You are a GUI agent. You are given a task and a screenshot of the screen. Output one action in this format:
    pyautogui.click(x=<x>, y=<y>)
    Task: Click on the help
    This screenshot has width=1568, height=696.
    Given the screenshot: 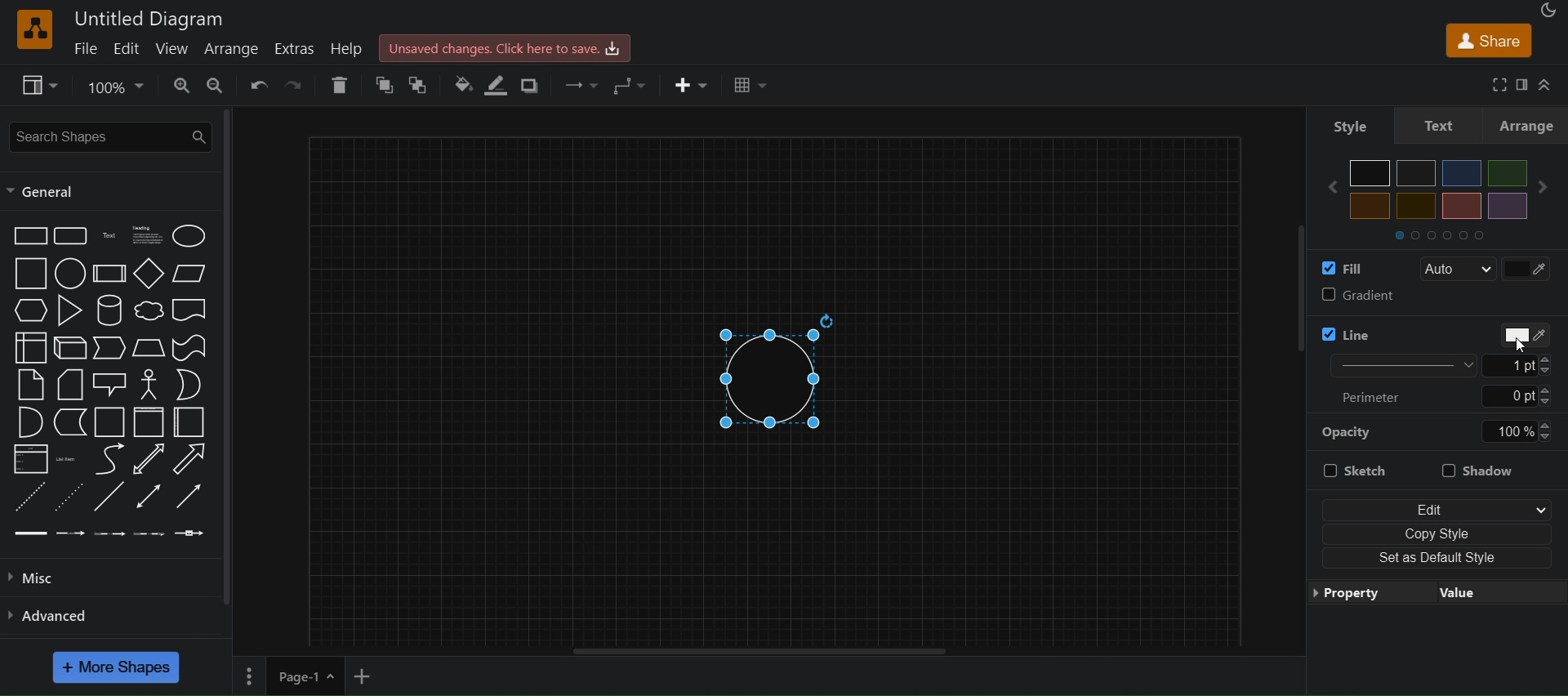 What is the action you would take?
    pyautogui.click(x=353, y=50)
    